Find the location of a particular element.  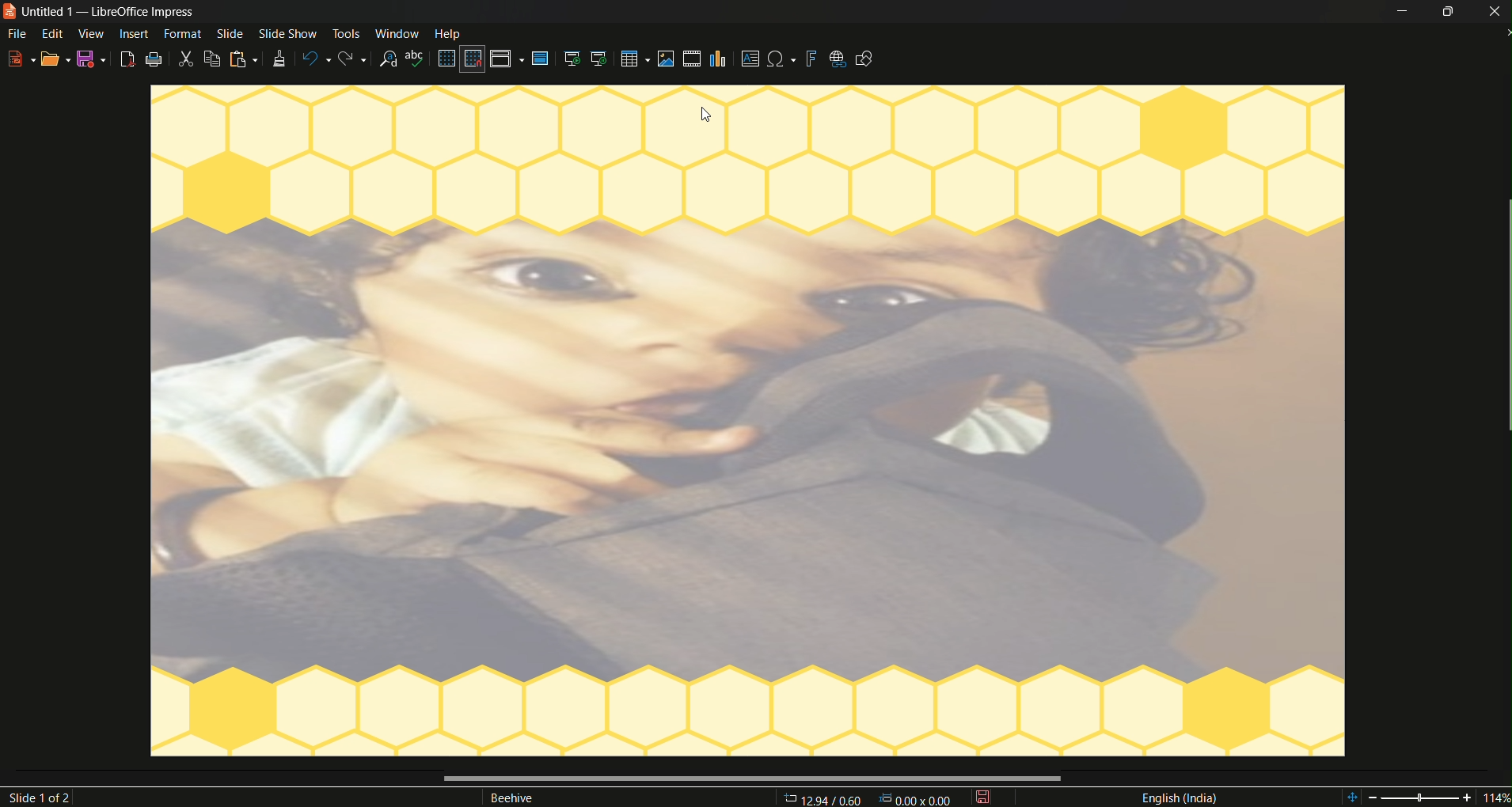

show draw functions is located at coordinates (866, 59).